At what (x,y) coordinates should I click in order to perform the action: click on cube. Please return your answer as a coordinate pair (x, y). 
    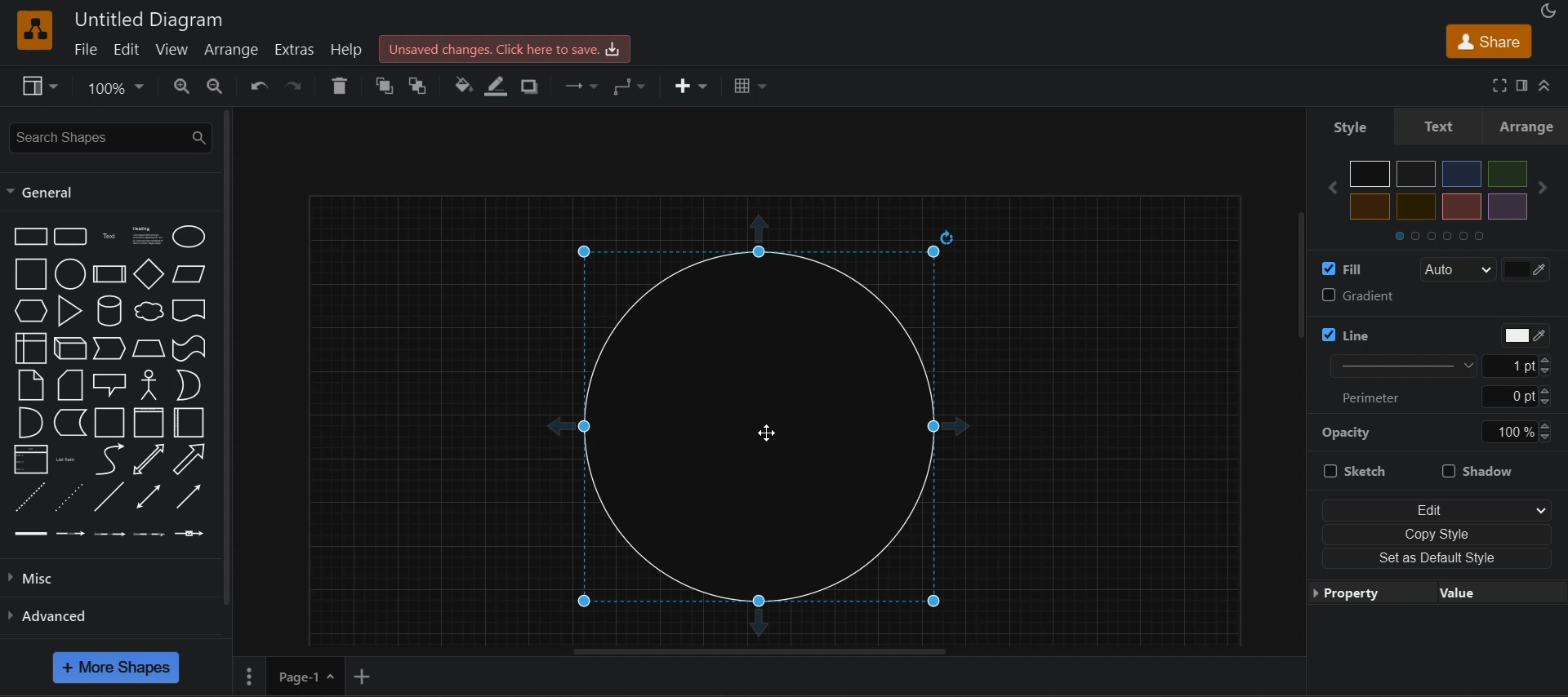
    Looking at the image, I should click on (69, 350).